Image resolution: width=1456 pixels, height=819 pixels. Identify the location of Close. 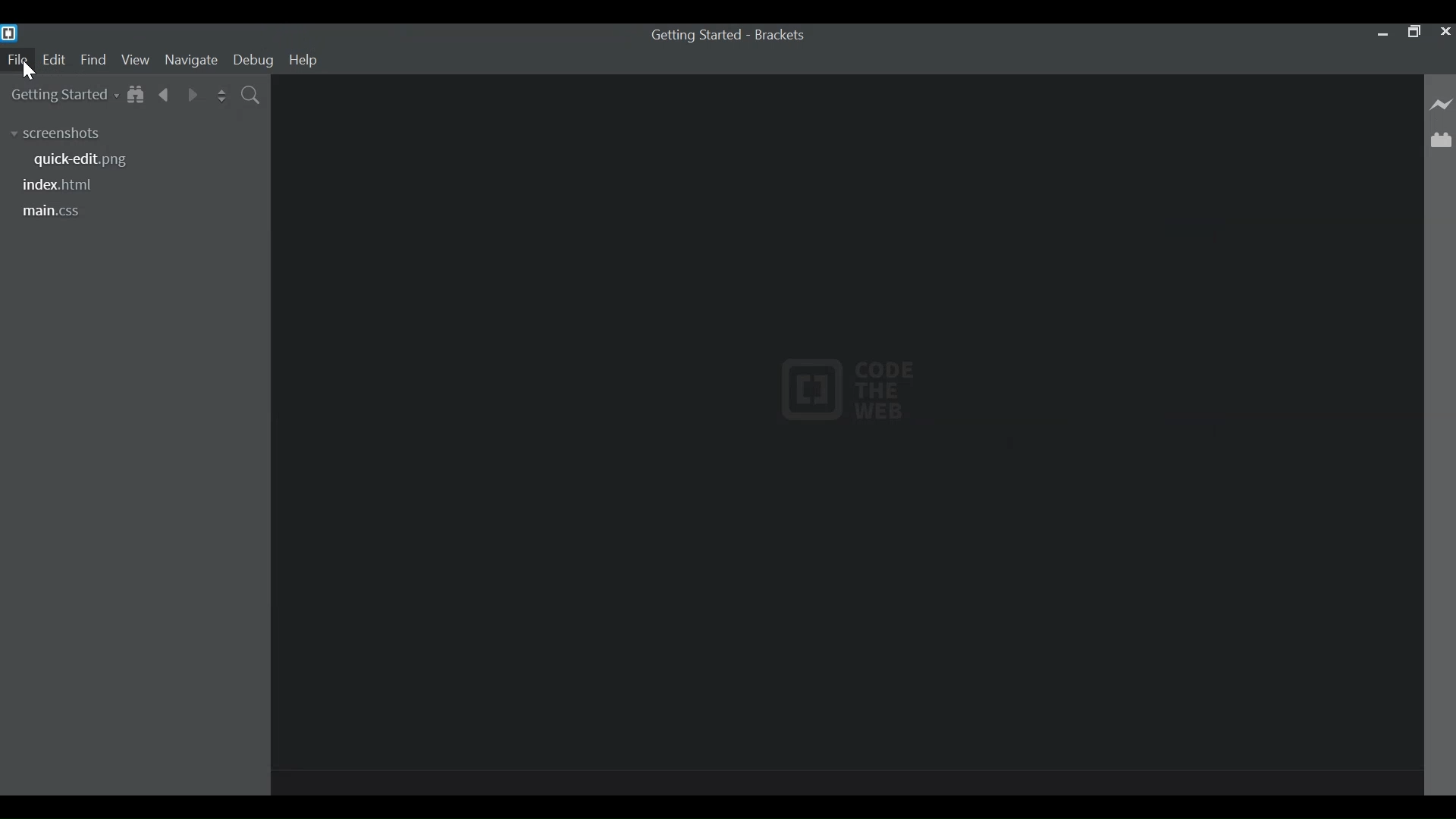
(1444, 31).